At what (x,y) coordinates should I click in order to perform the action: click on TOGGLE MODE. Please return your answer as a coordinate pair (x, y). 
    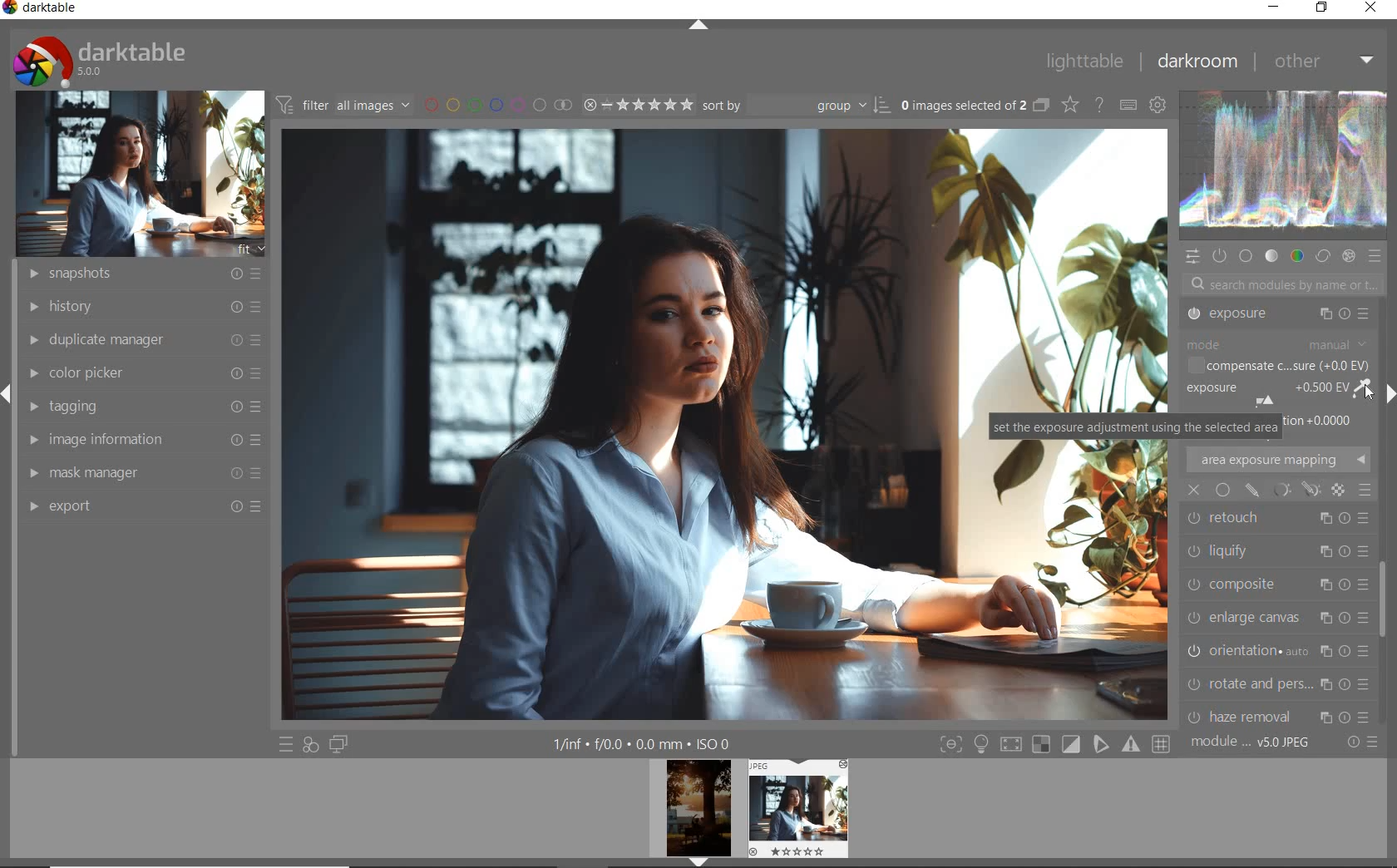
    Looking at the image, I should click on (1054, 744).